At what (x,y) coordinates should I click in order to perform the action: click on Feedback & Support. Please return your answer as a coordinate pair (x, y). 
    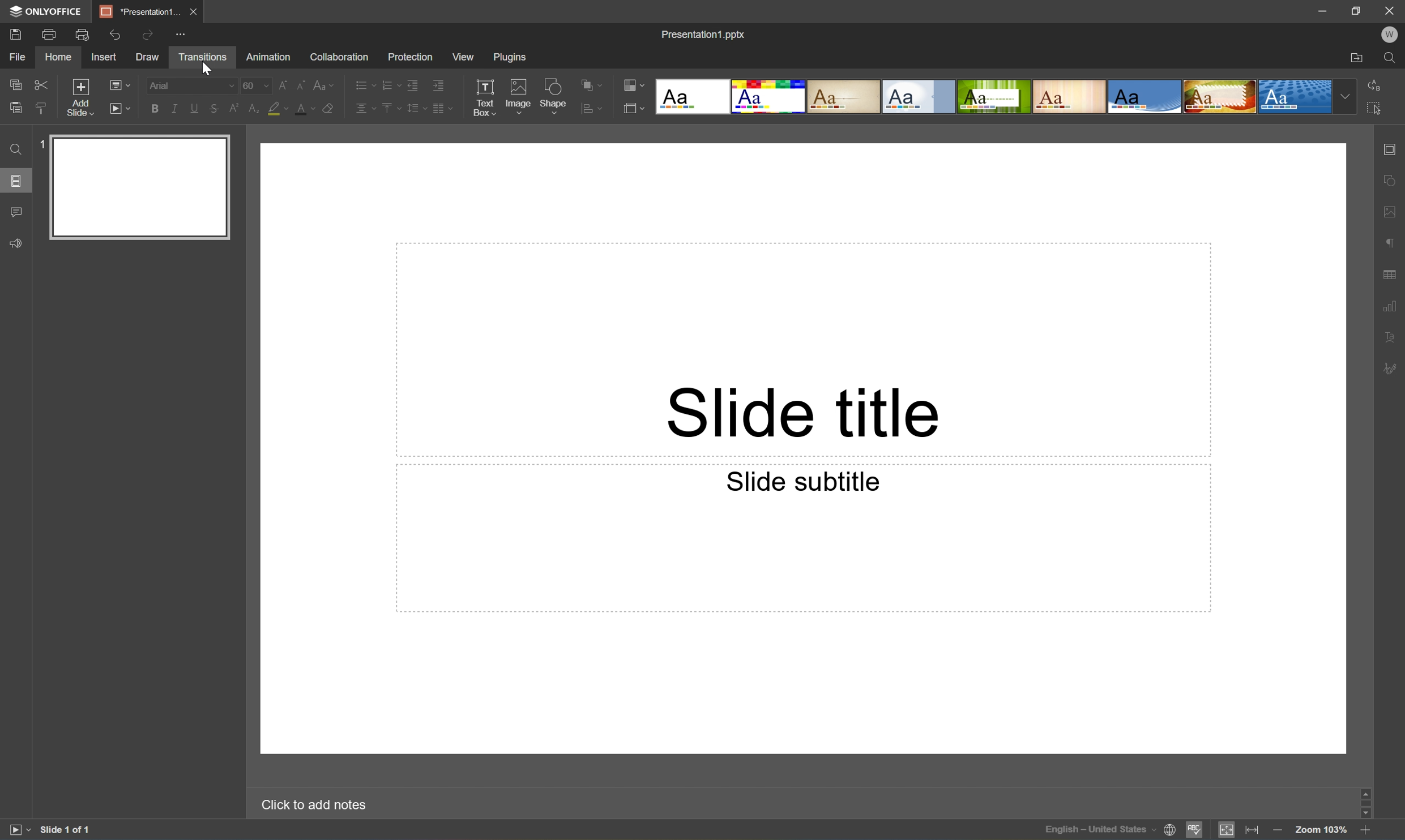
    Looking at the image, I should click on (15, 246).